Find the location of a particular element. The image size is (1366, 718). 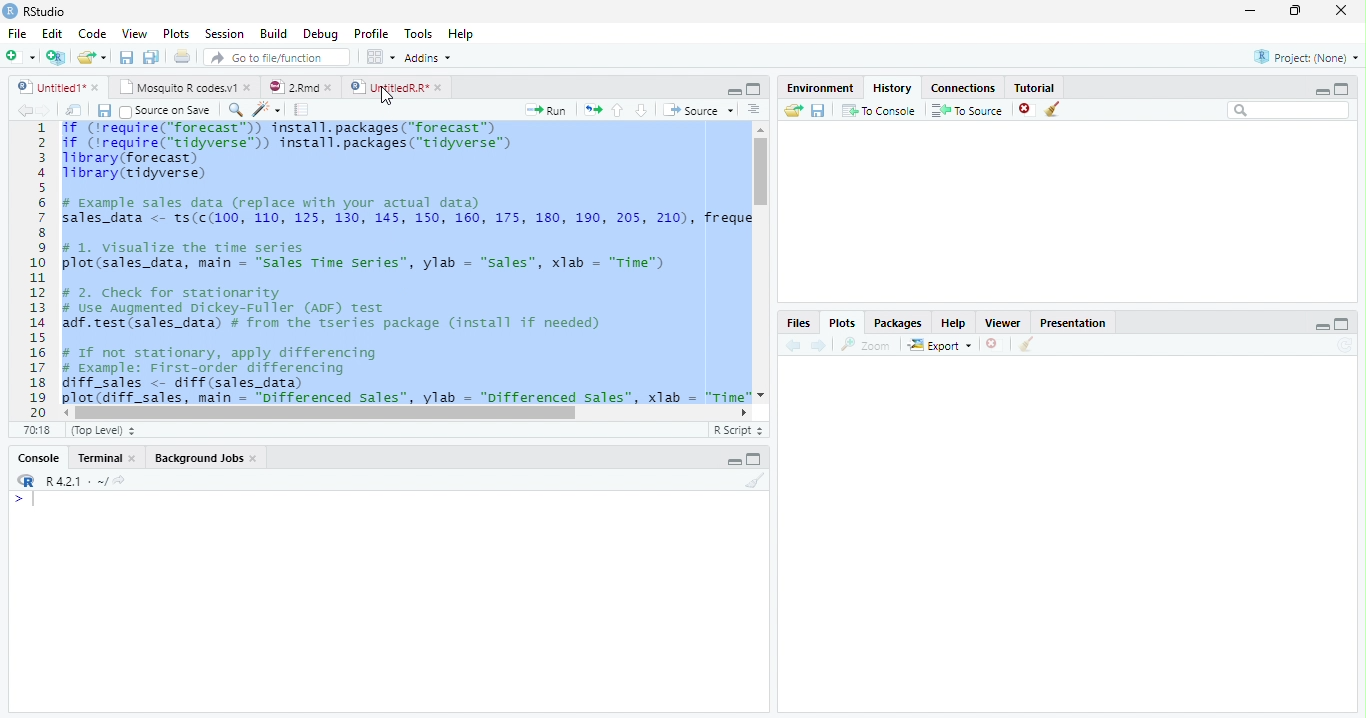

Untitled1 is located at coordinates (58, 87).